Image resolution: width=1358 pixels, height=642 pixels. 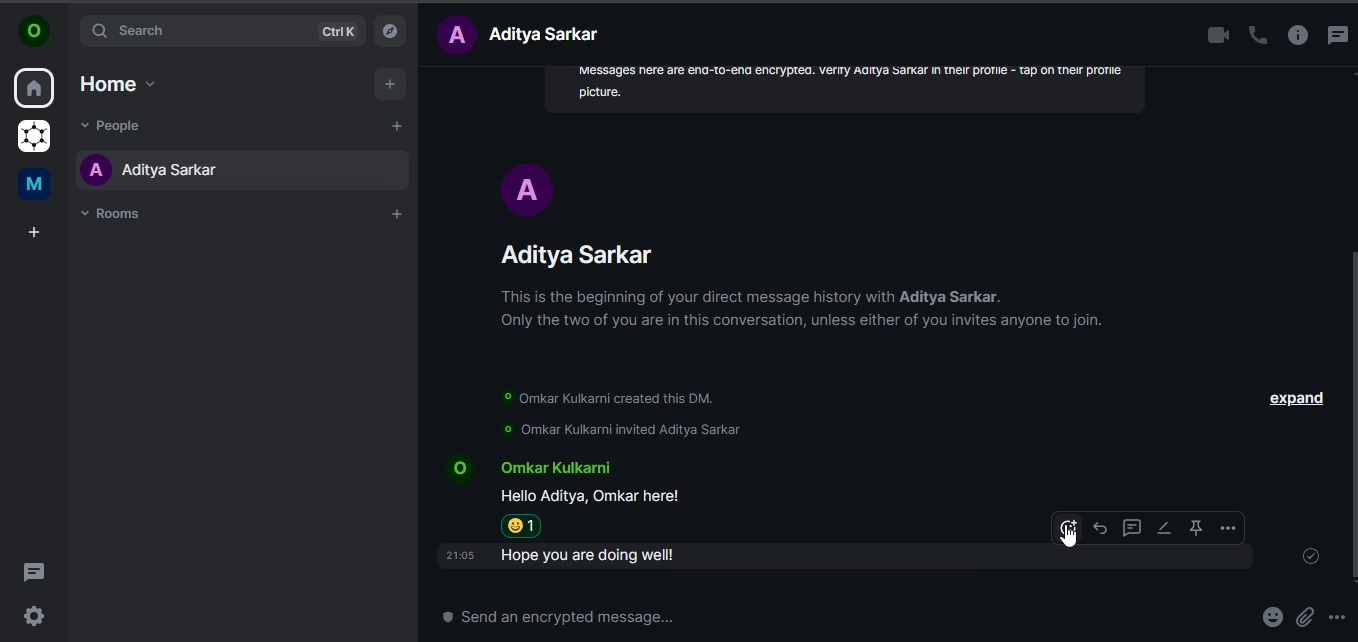 What do you see at coordinates (1295, 400) in the screenshot?
I see `expand` at bounding box center [1295, 400].